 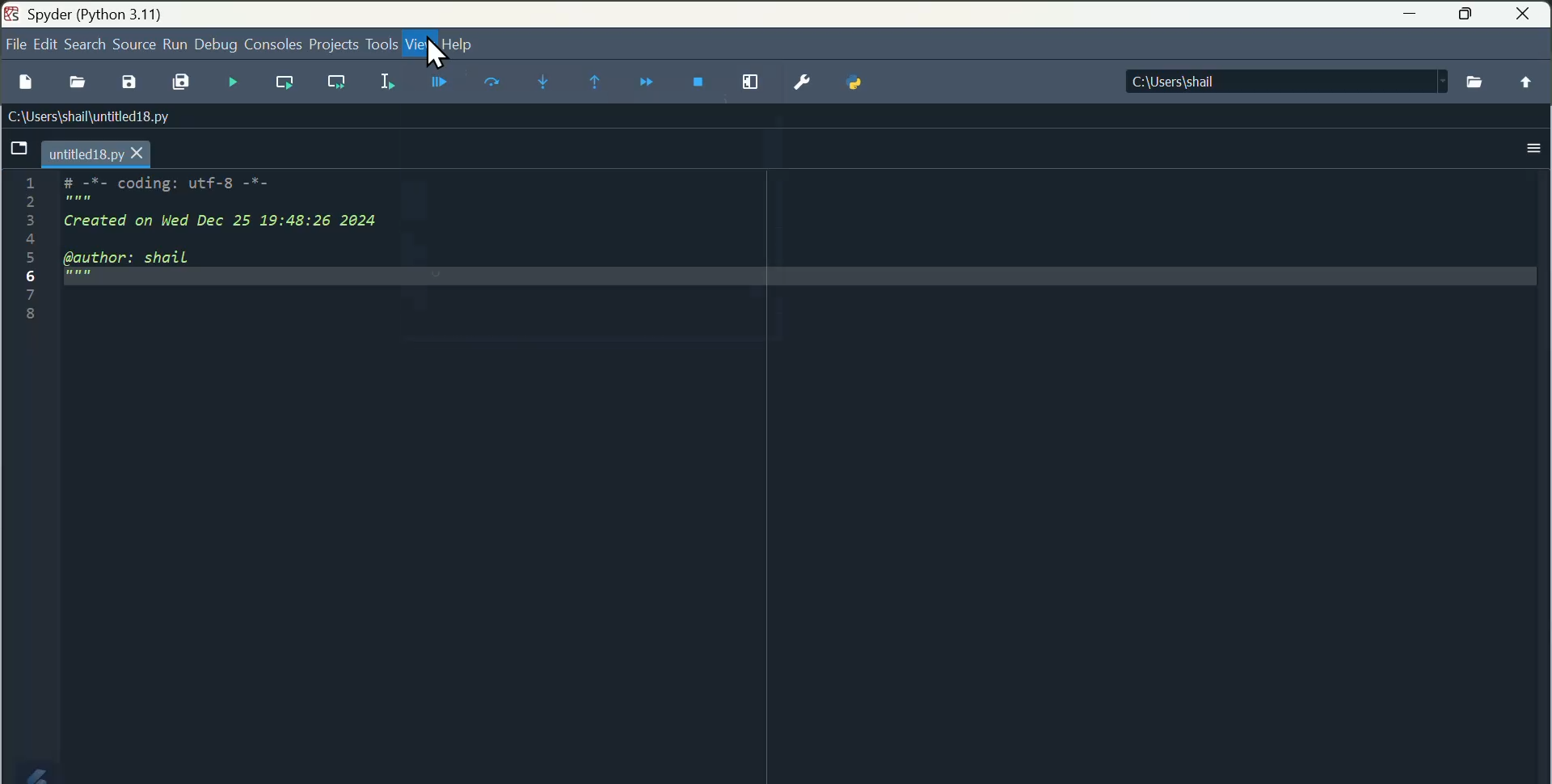 I want to click on Maximise, so click(x=1468, y=16).